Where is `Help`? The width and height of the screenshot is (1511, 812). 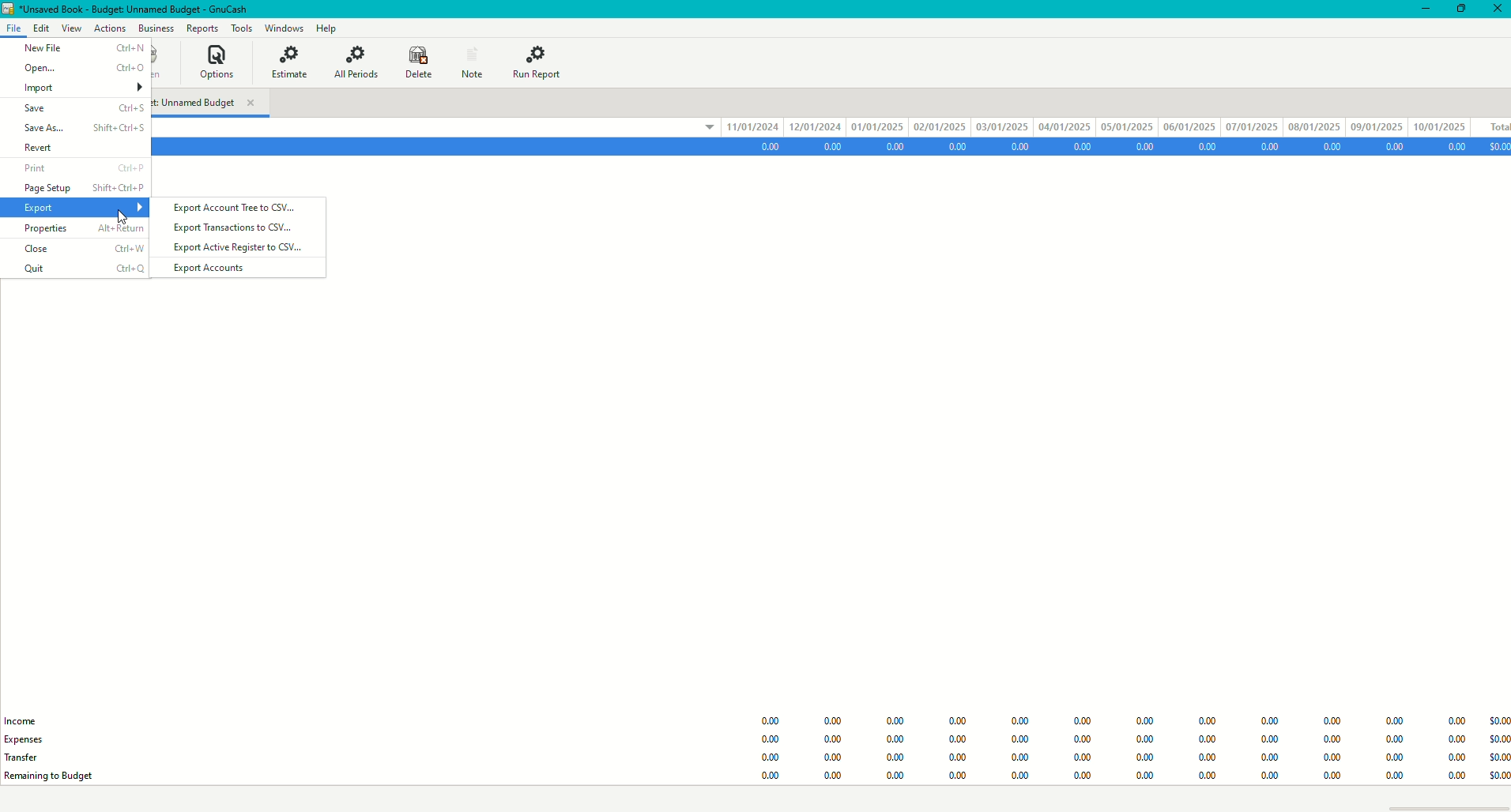 Help is located at coordinates (327, 27).